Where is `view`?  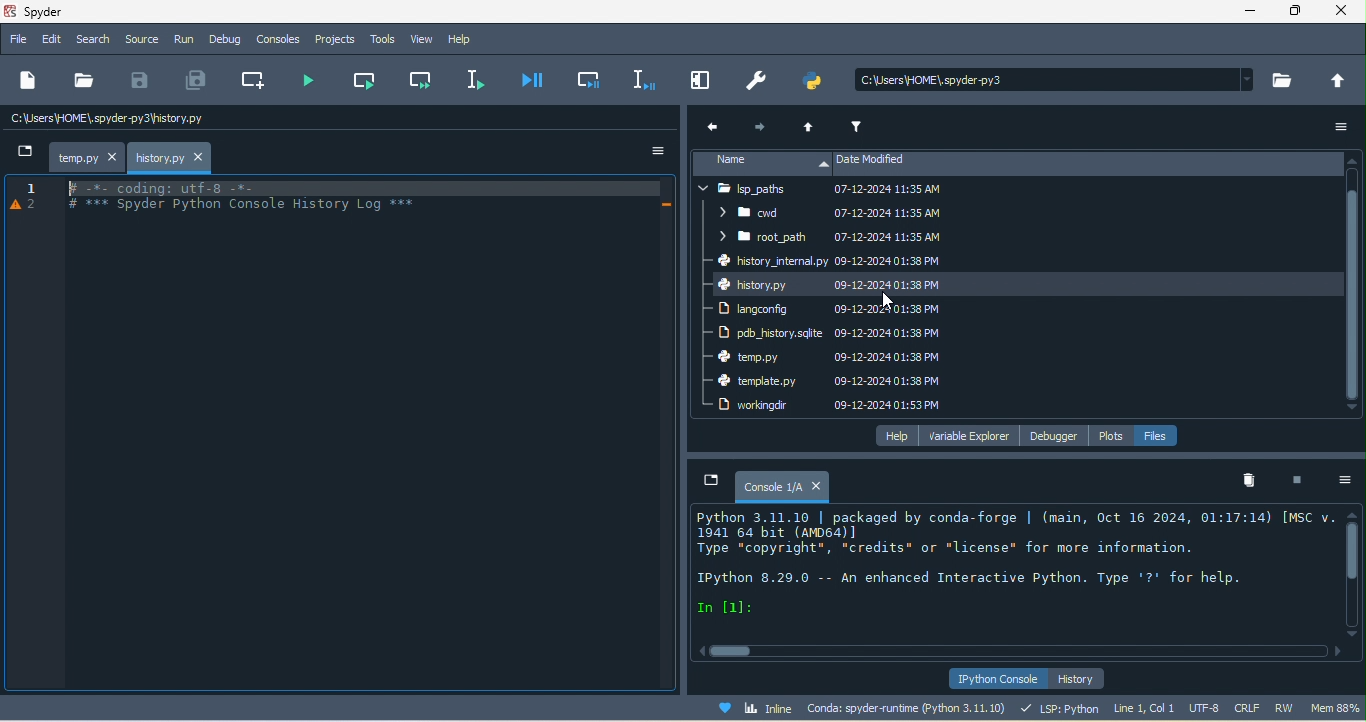
view is located at coordinates (426, 38).